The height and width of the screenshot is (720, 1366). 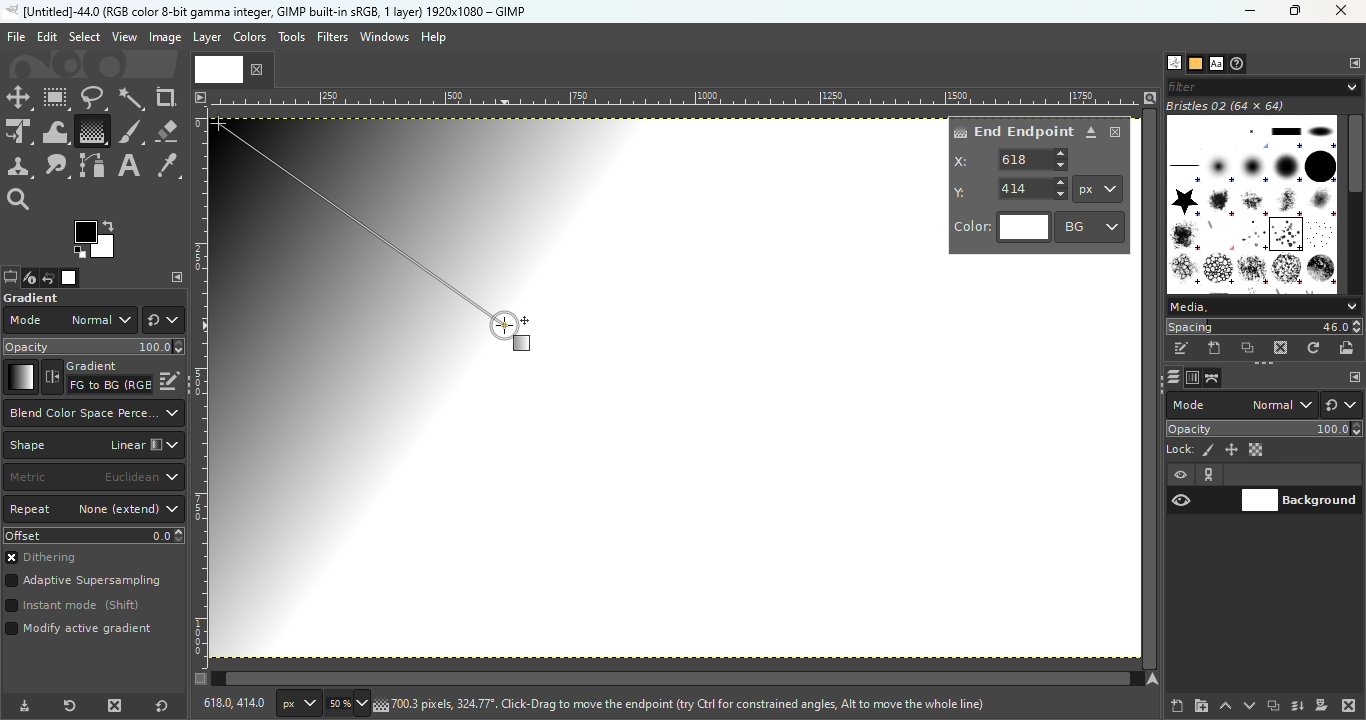 I want to click on Edit, so click(x=47, y=37).